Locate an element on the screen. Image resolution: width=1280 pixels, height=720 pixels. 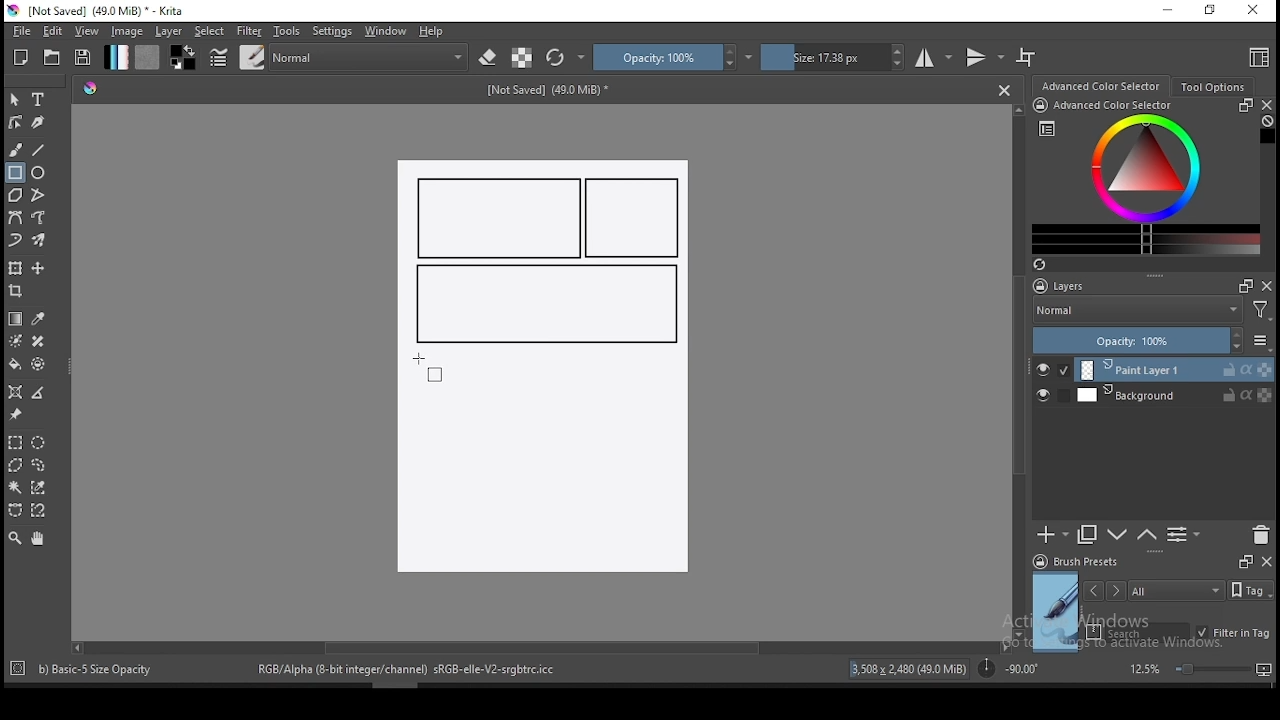
crop tool is located at coordinates (18, 293).